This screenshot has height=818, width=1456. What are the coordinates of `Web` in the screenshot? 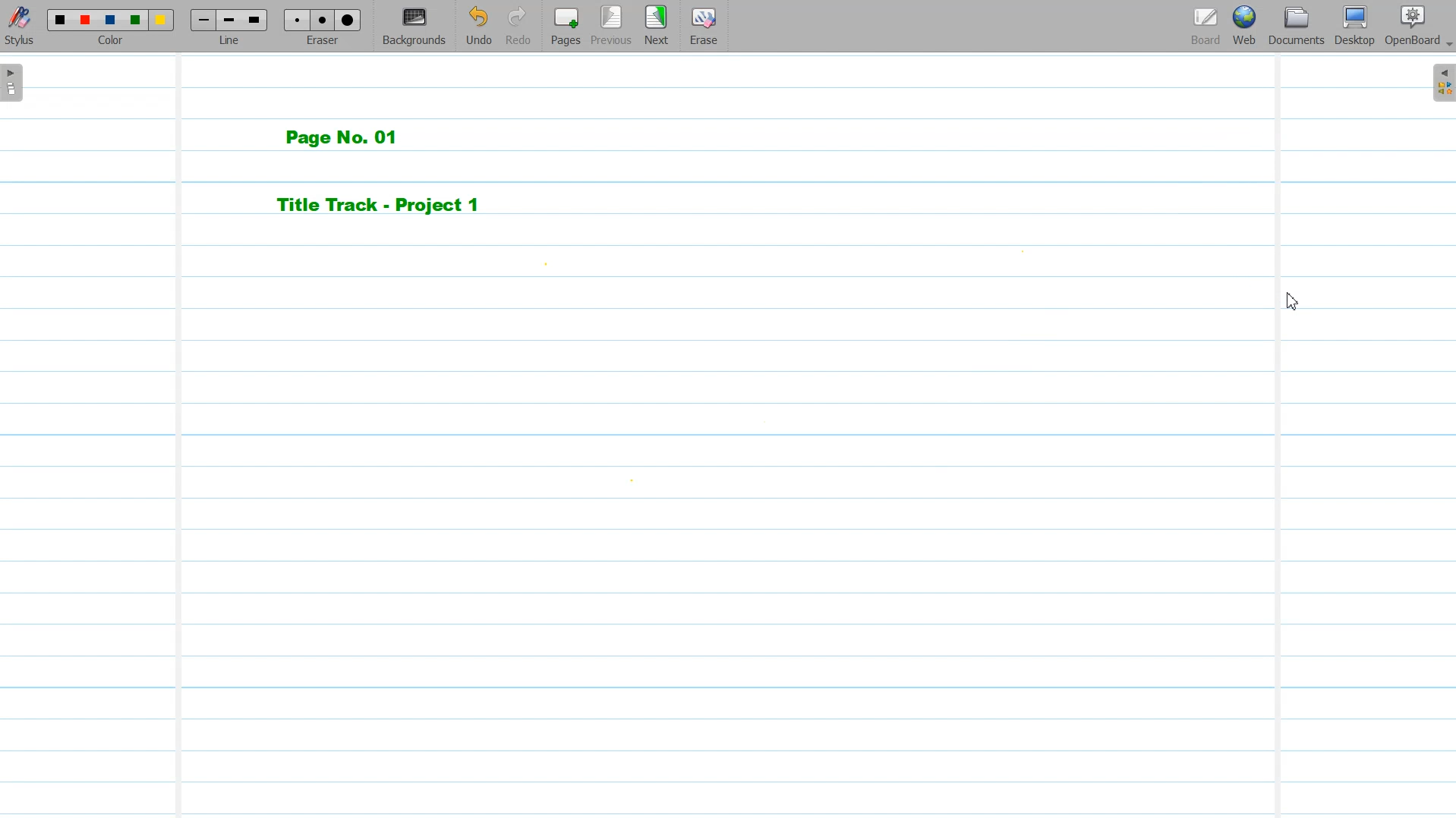 It's located at (1243, 26).